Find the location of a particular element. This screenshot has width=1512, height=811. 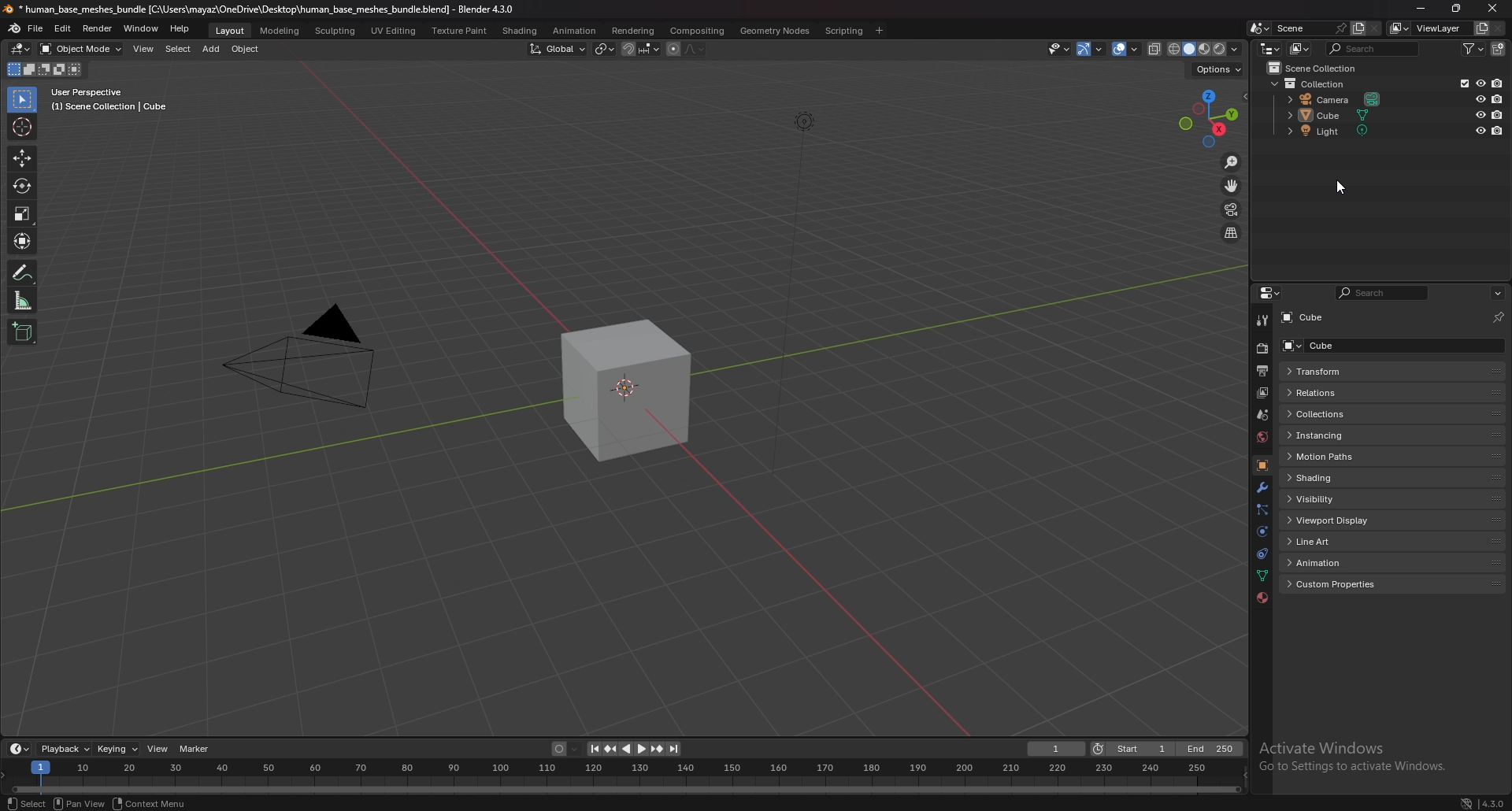

add view layer is located at coordinates (1480, 28).